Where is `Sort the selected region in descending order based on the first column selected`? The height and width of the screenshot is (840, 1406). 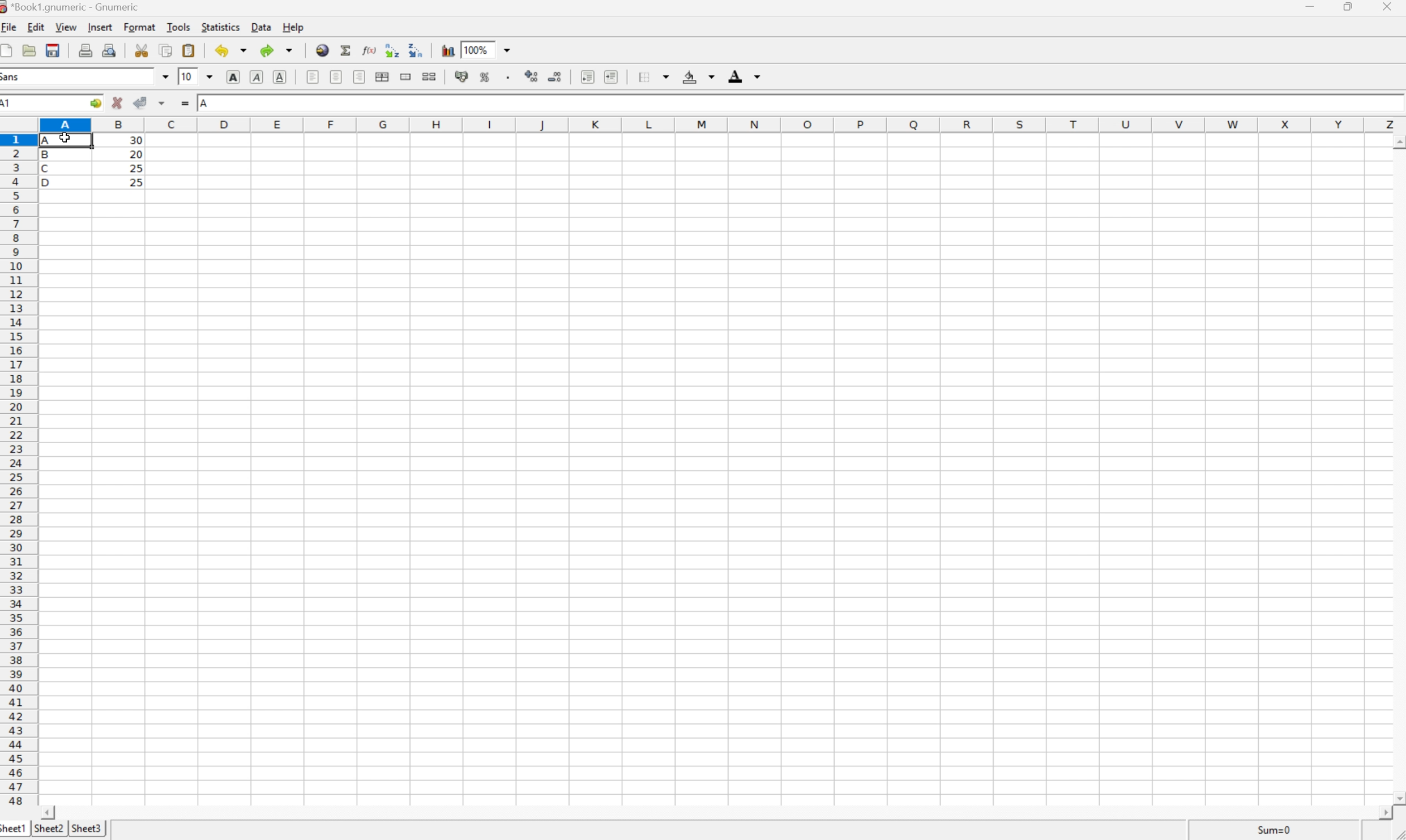 Sort the selected region in descending order based on the first column selected is located at coordinates (391, 49).